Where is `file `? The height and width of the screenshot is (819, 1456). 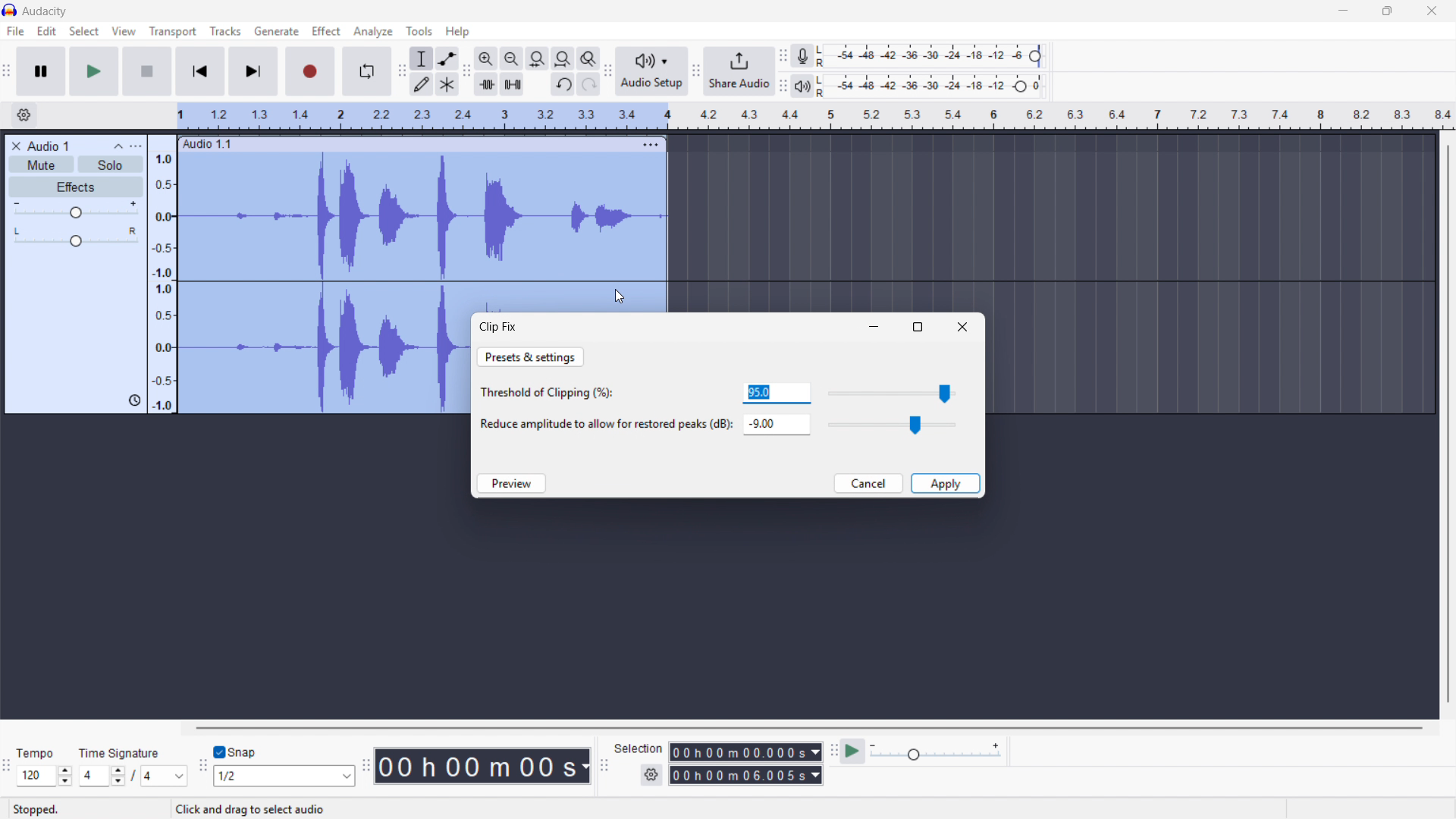 file  is located at coordinates (14, 31).